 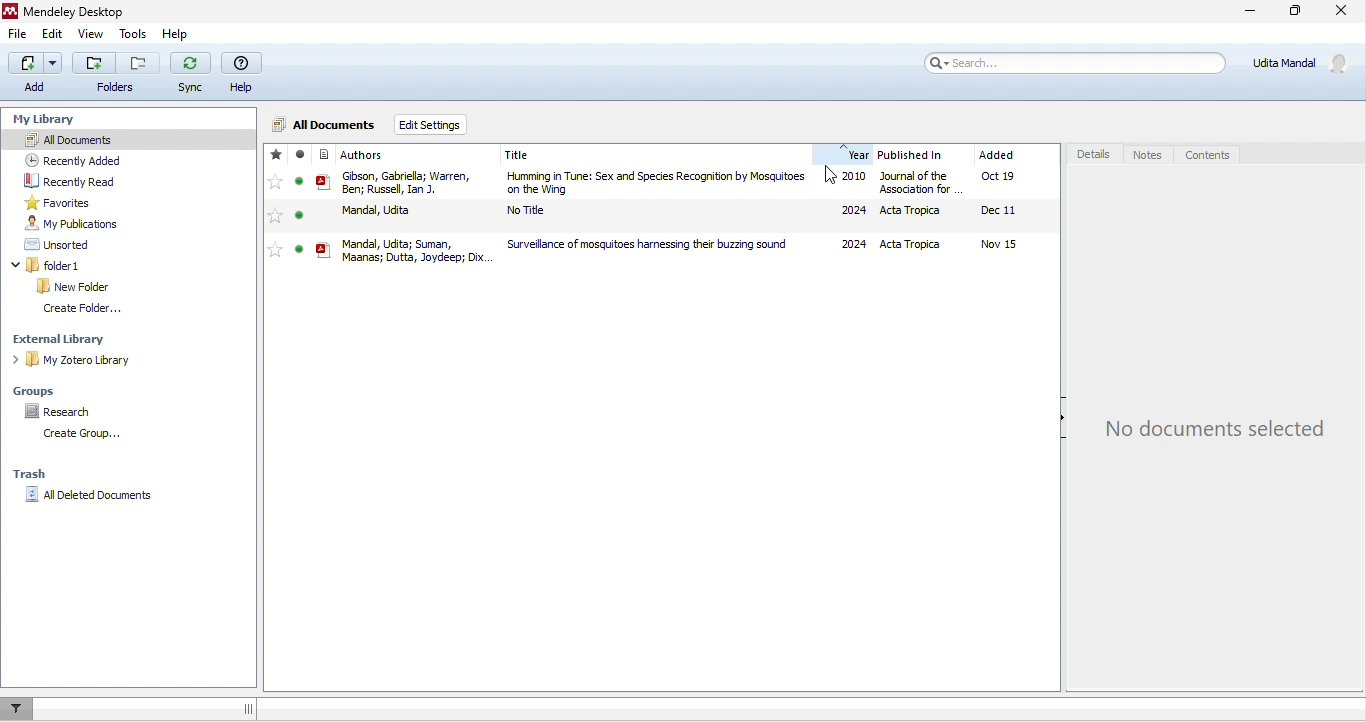 What do you see at coordinates (1061, 62) in the screenshot?
I see `search` at bounding box center [1061, 62].